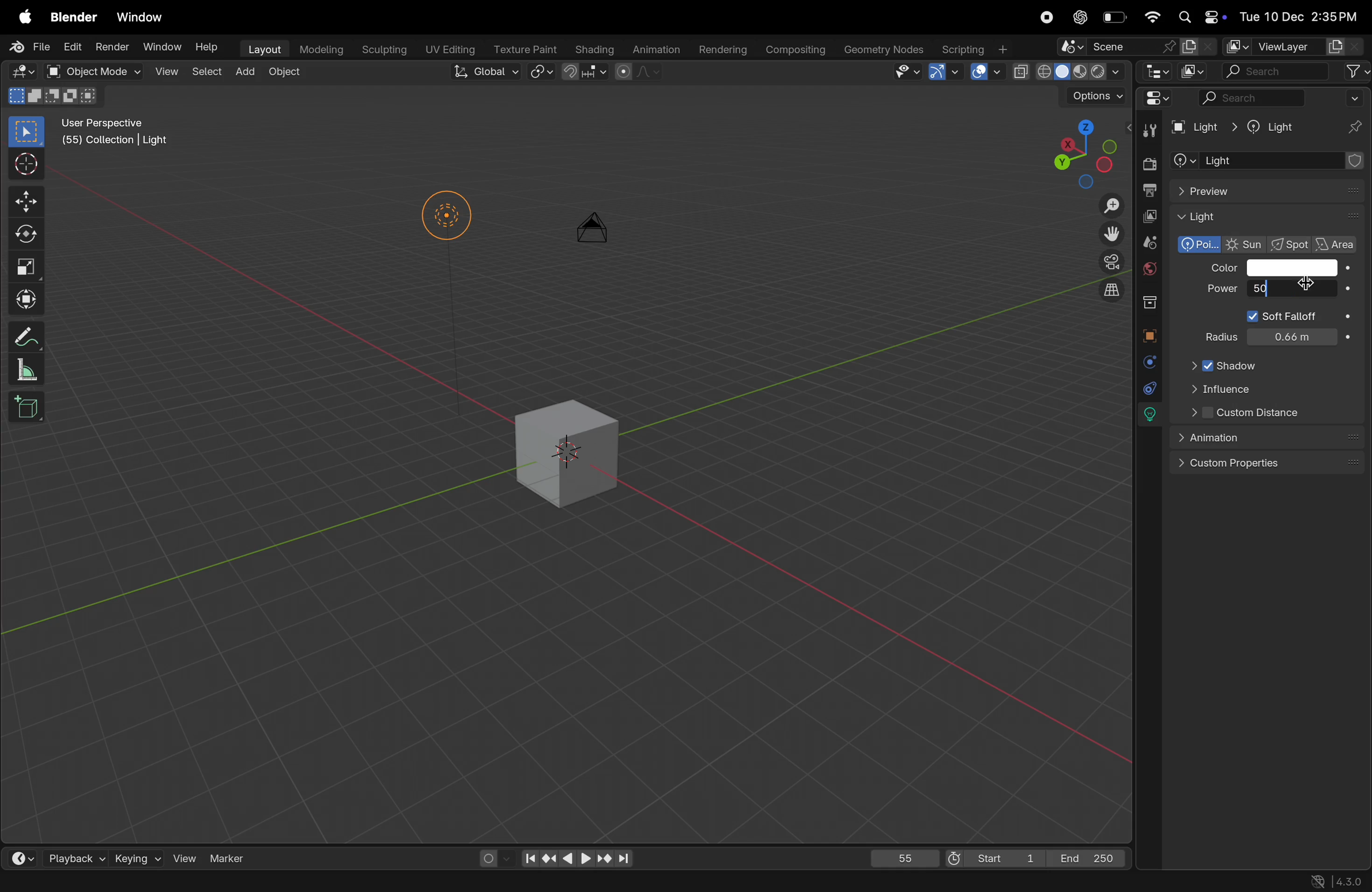 This screenshot has width=1372, height=892. Describe the element at coordinates (1266, 462) in the screenshot. I see `custom properties` at that location.